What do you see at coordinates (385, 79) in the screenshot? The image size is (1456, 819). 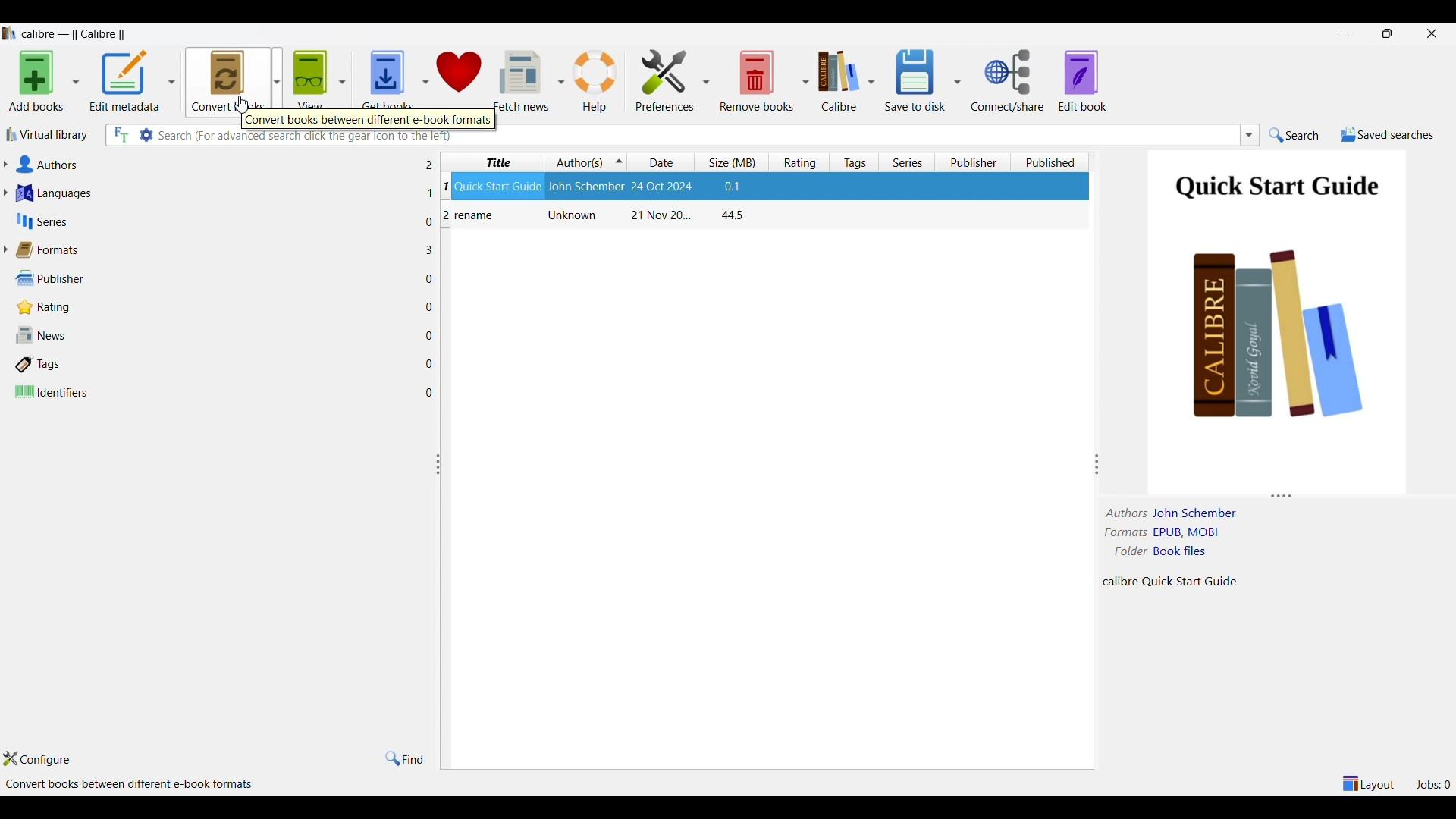 I see `Get books` at bounding box center [385, 79].